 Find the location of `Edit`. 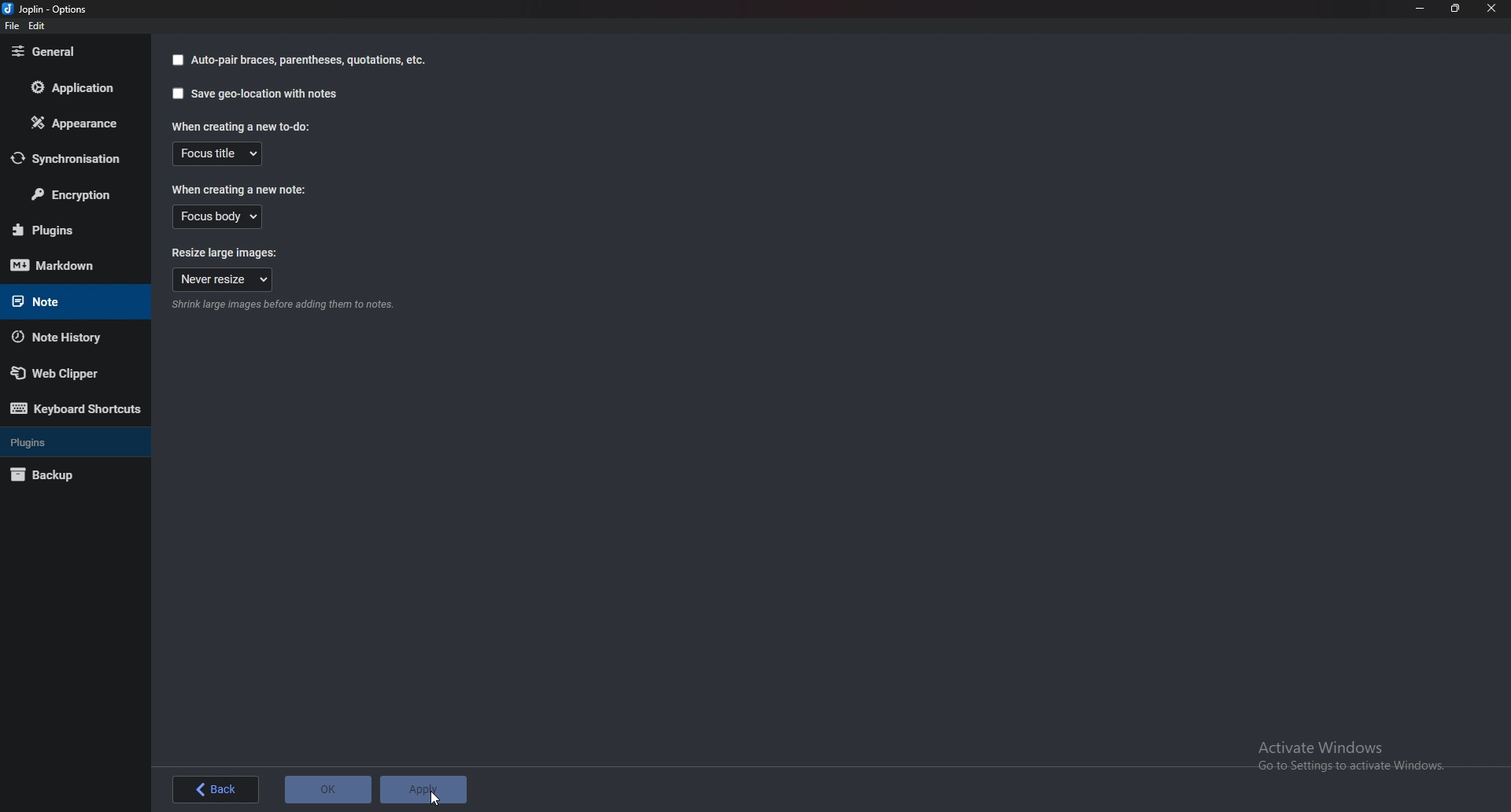

Edit is located at coordinates (38, 27).